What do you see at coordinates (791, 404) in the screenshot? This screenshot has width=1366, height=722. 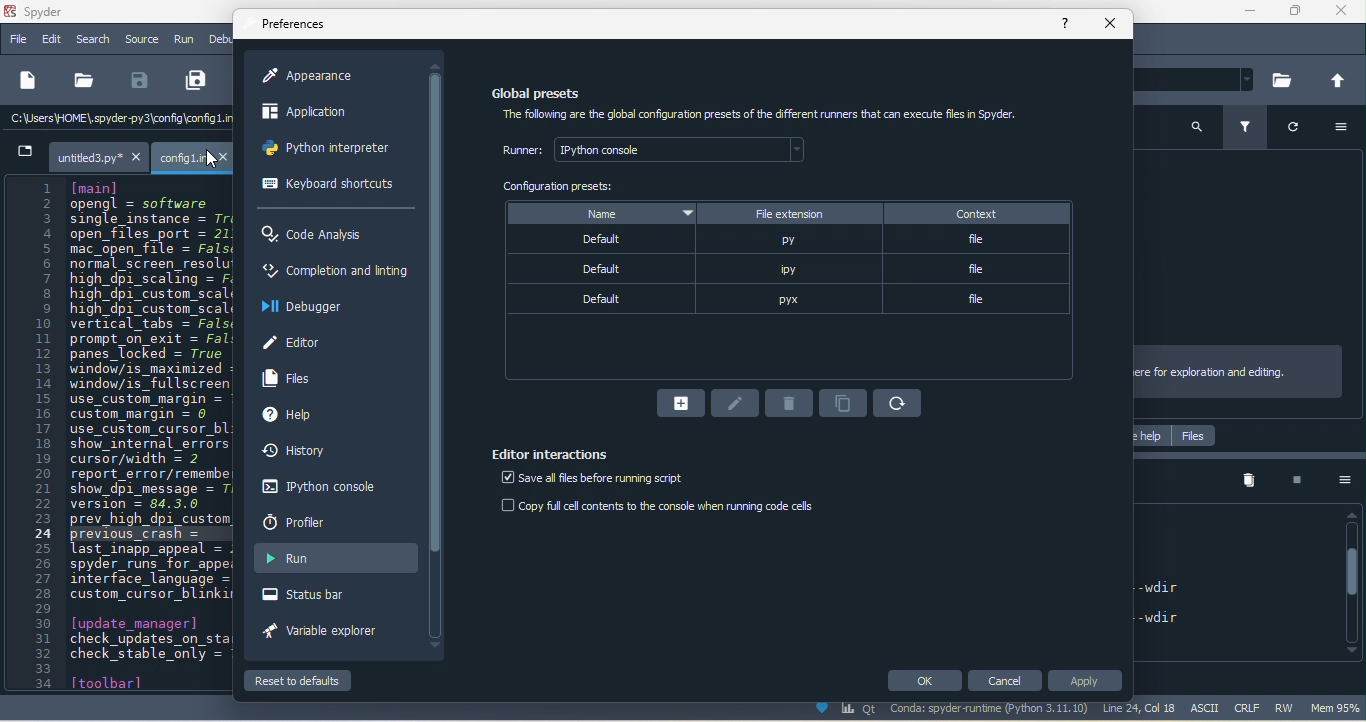 I see `delete` at bounding box center [791, 404].